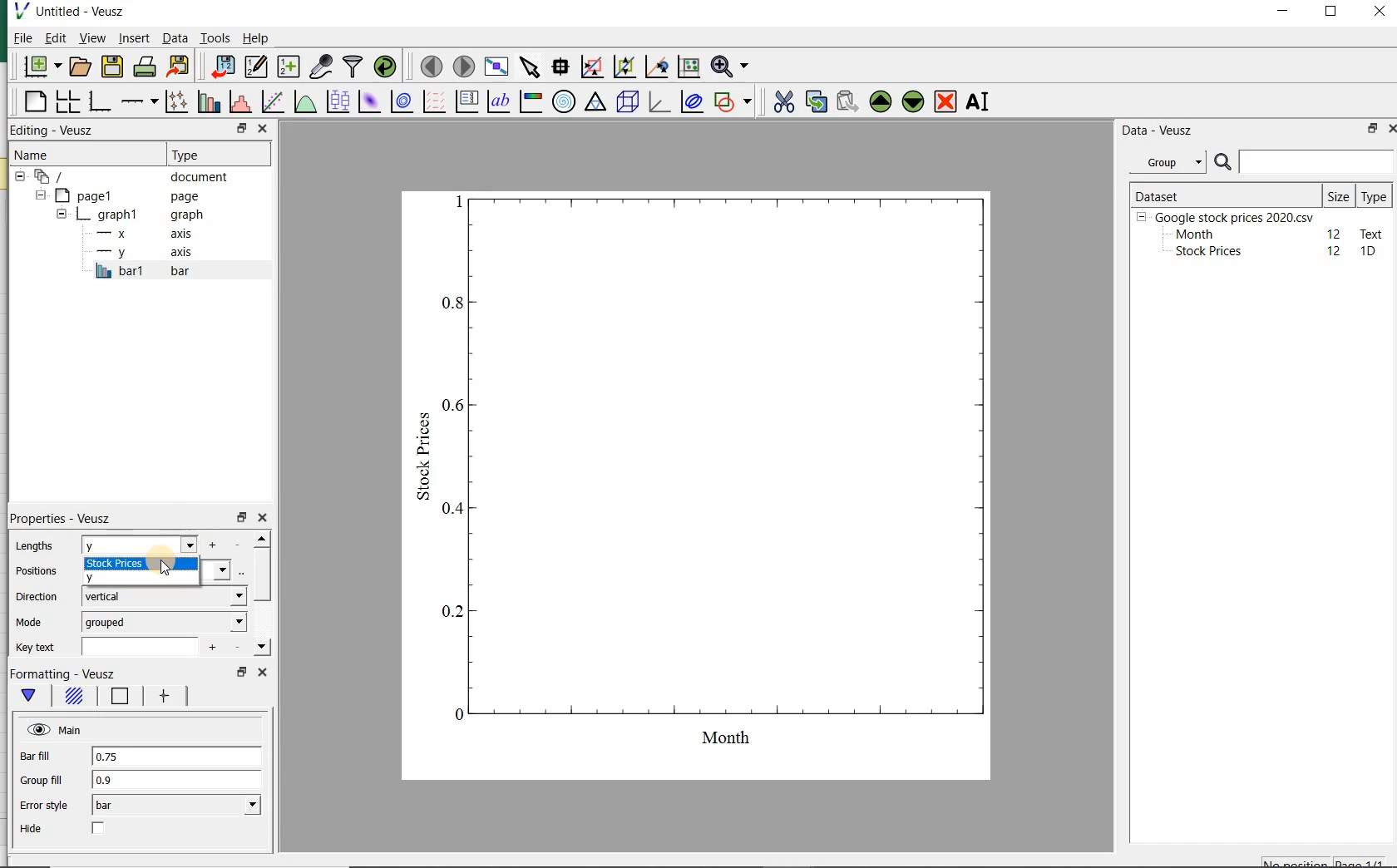 The image size is (1397, 868). Describe the element at coordinates (18, 40) in the screenshot. I see `File` at that location.